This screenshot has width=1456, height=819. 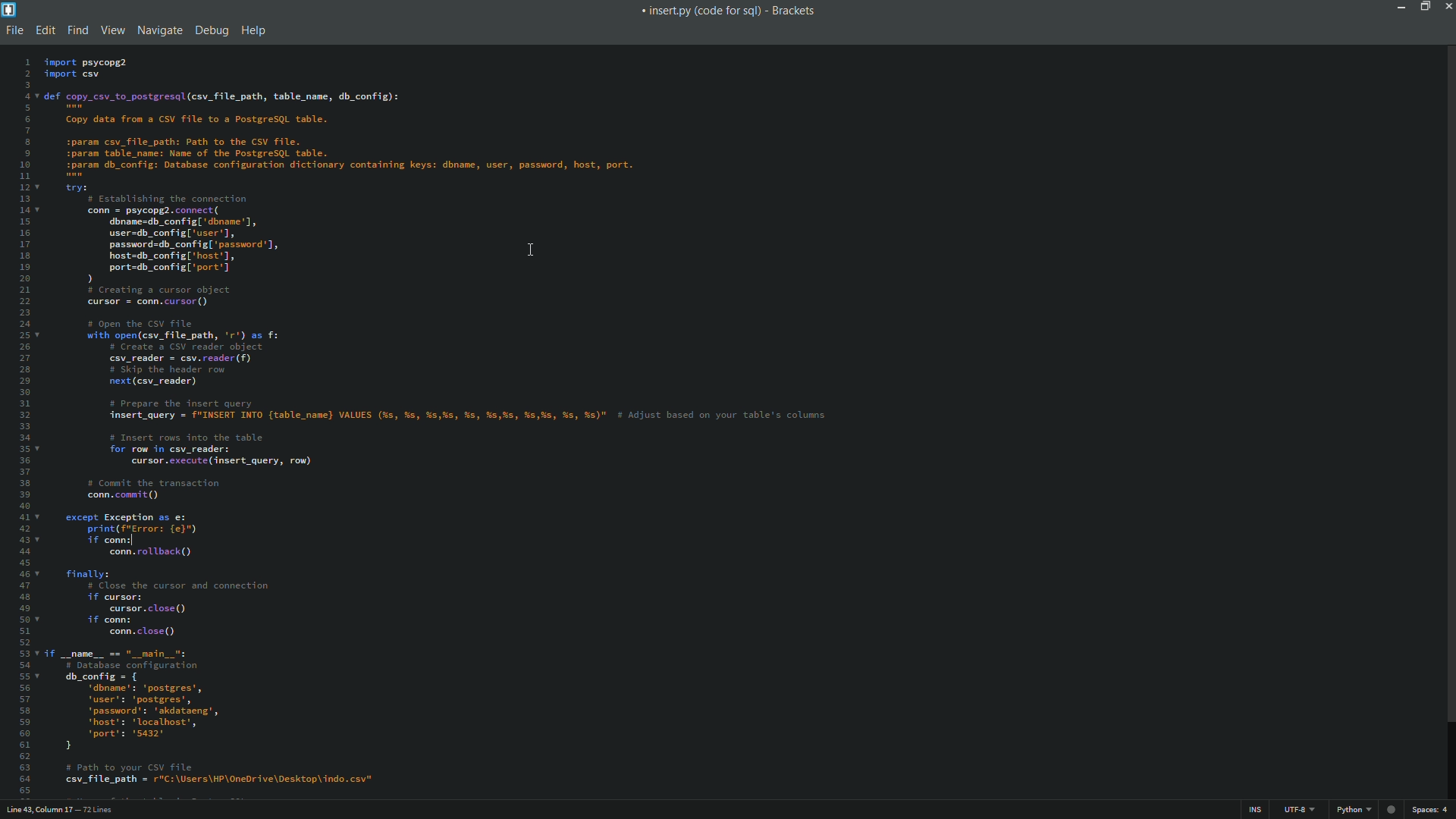 I want to click on app icon, so click(x=10, y=10).